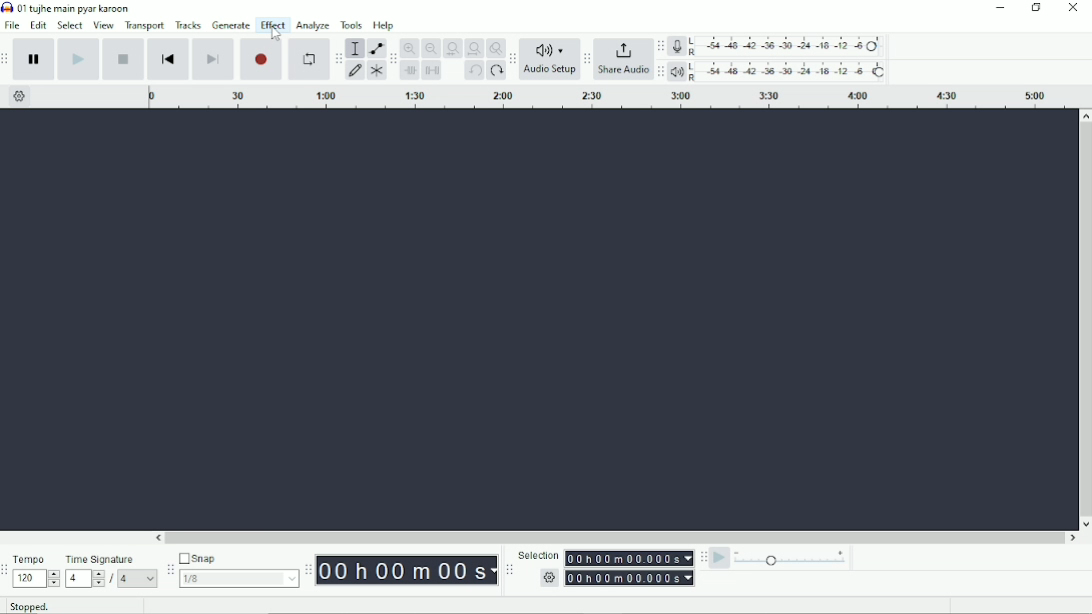 This screenshot has width=1092, height=614. I want to click on Horizontal scrollbar, so click(616, 537).